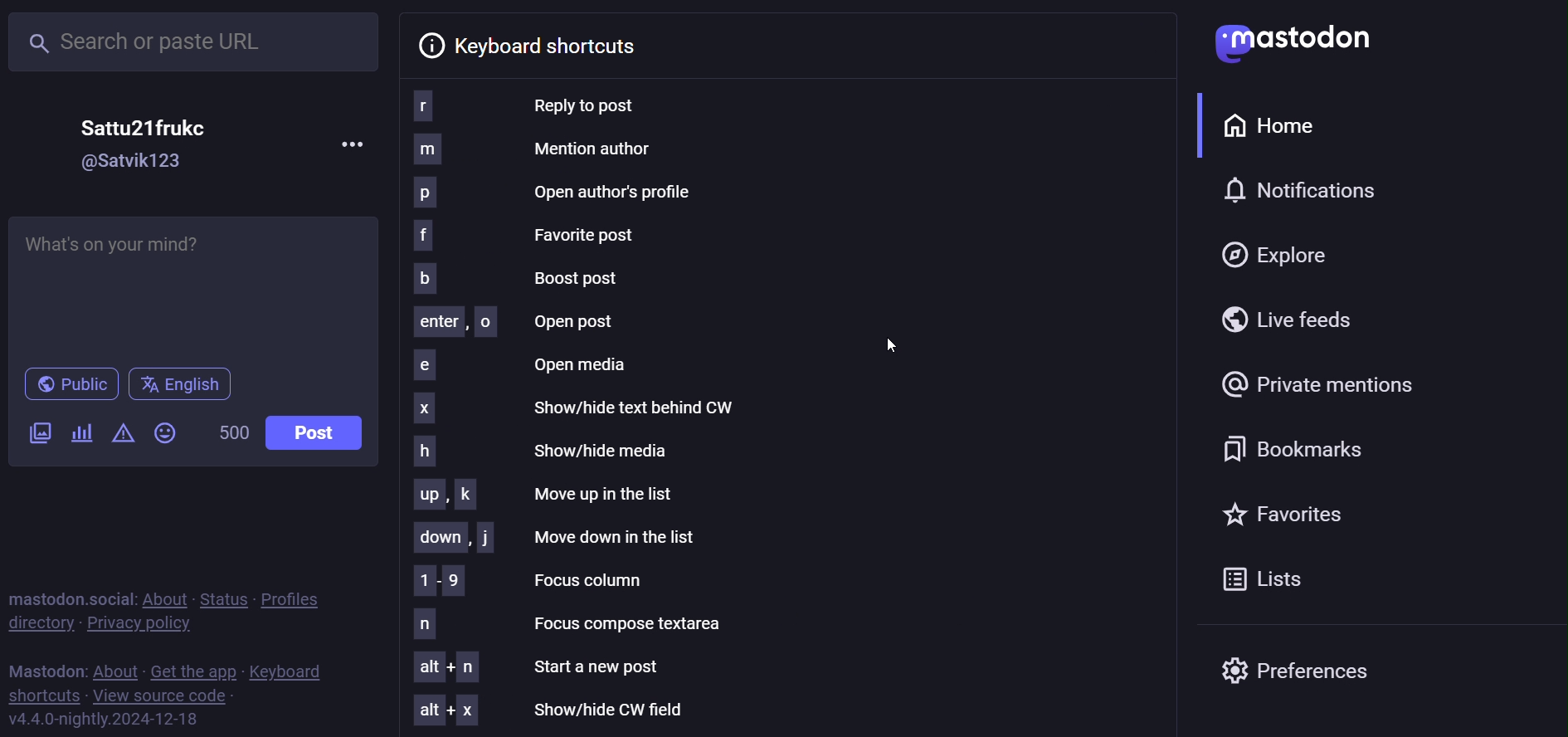 The height and width of the screenshot is (737, 1568). What do you see at coordinates (234, 431) in the screenshot?
I see `500` at bounding box center [234, 431].